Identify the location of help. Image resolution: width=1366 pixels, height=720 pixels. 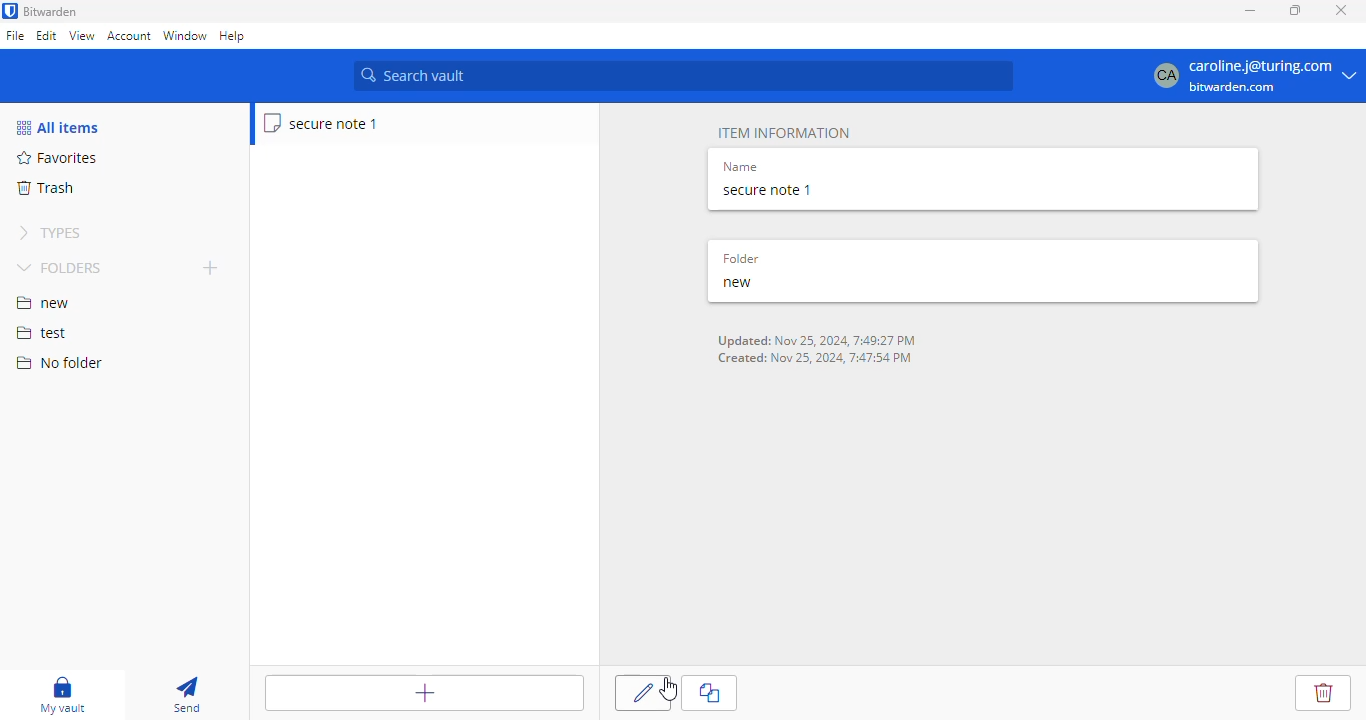
(233, 37).